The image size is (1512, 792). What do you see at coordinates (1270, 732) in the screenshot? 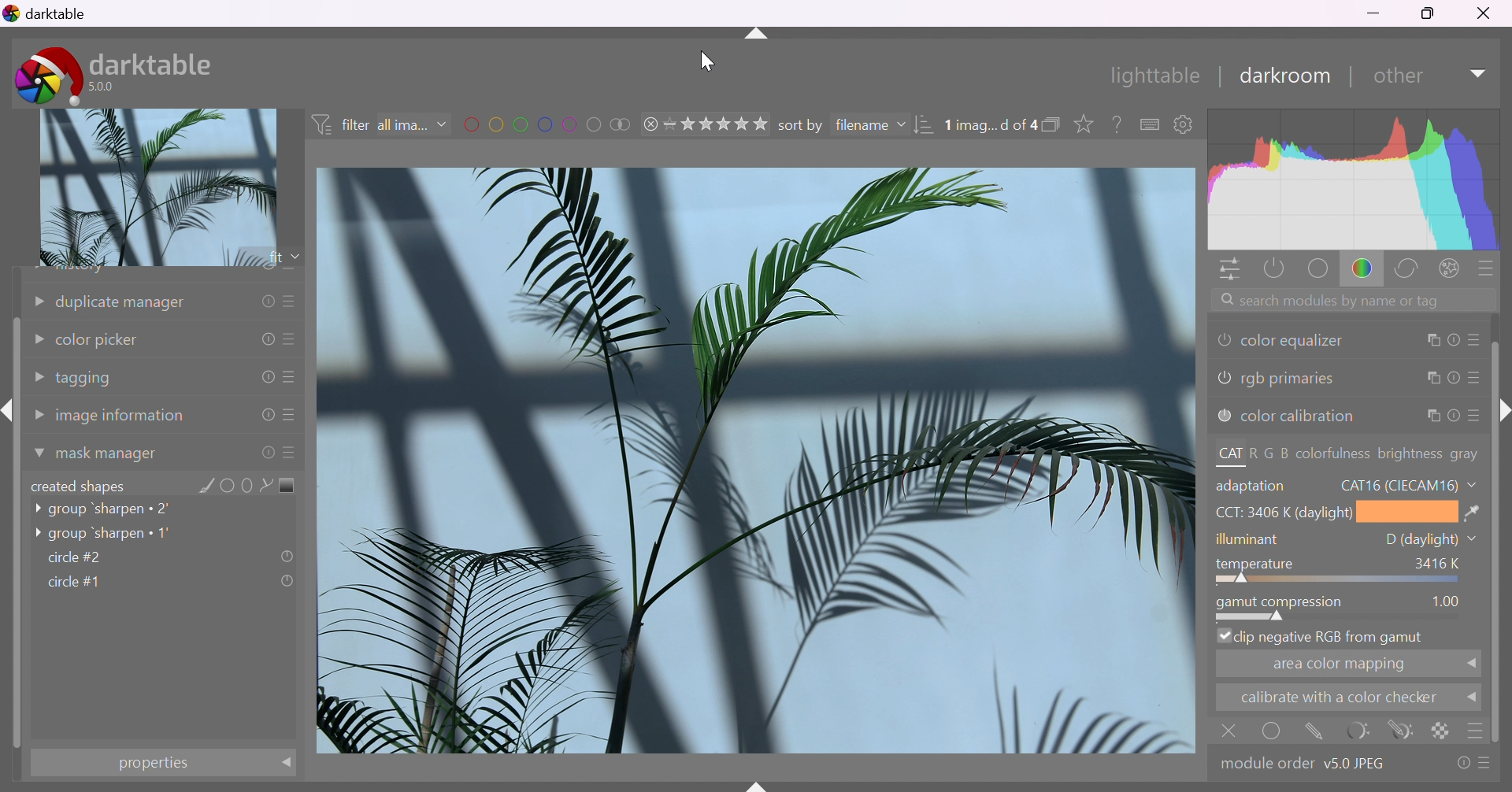
I see `select` at bounding box center [1270, 732].